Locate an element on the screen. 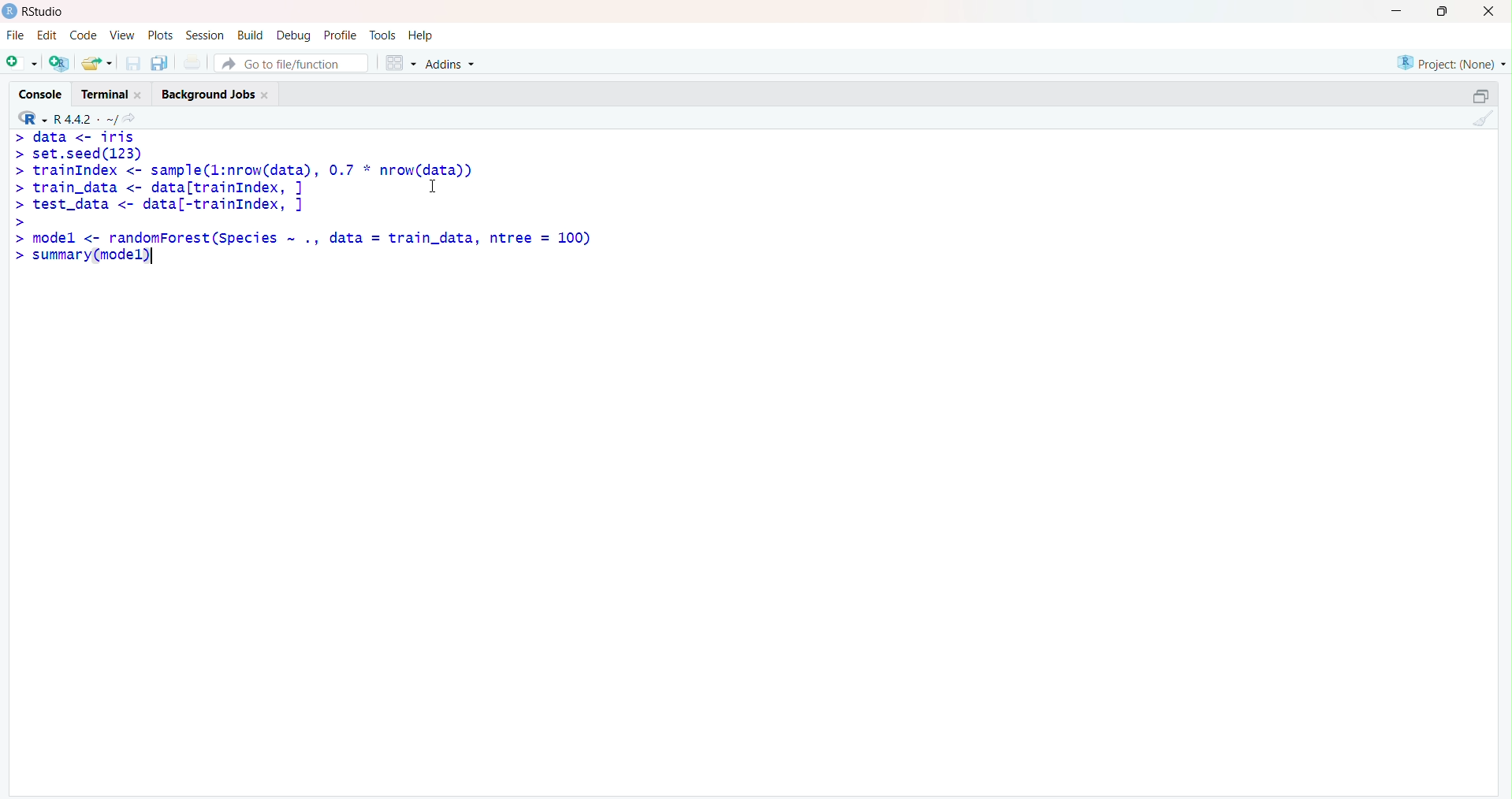  Project (None) is located at coordinates (1450, 62).